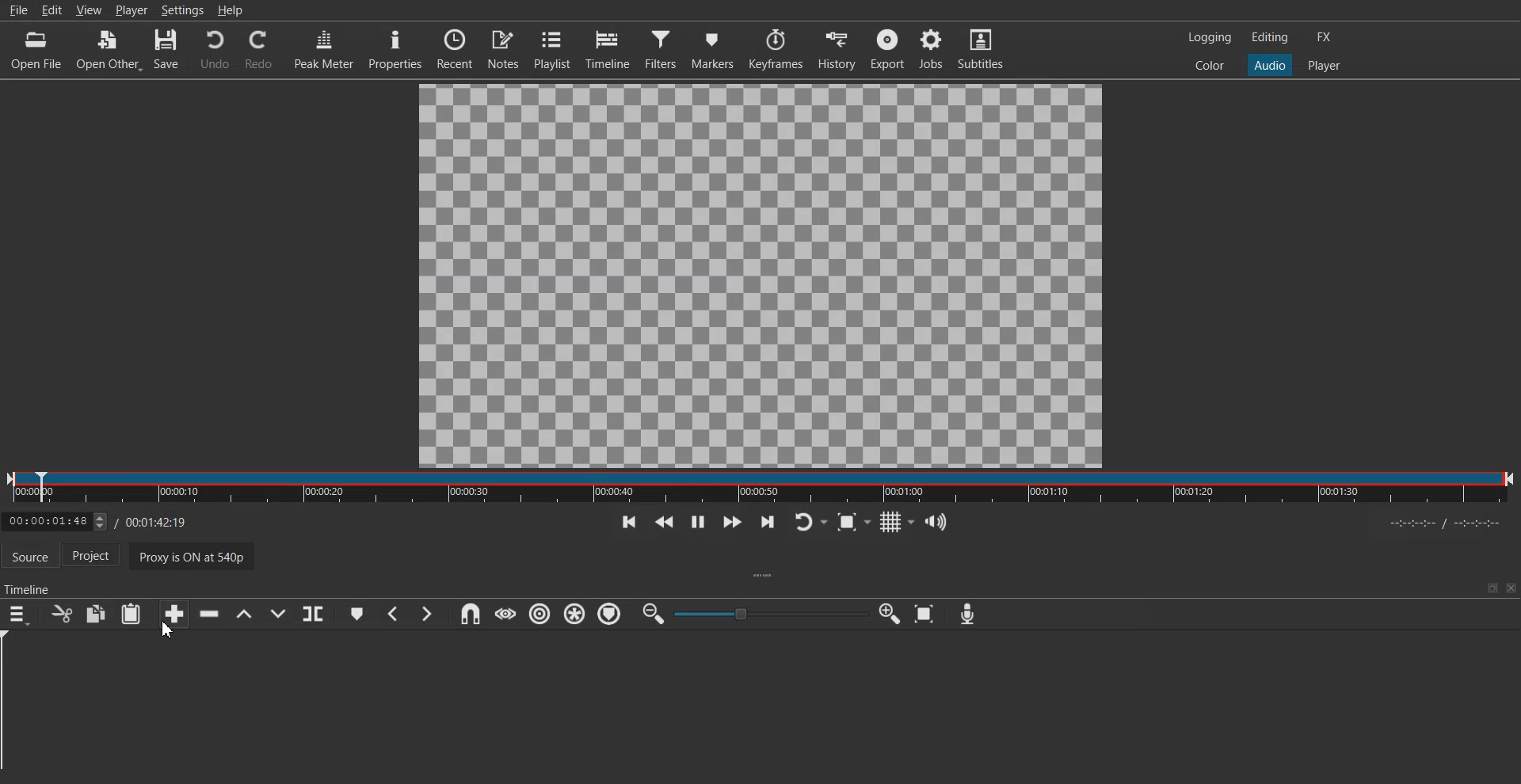 Image resolution: width=1521 pixels, height=784 pixels. What do you see at coordinates (697, 522) in the screenshot?
I see `Toggle play or pause` at bounding box center [697, 522].